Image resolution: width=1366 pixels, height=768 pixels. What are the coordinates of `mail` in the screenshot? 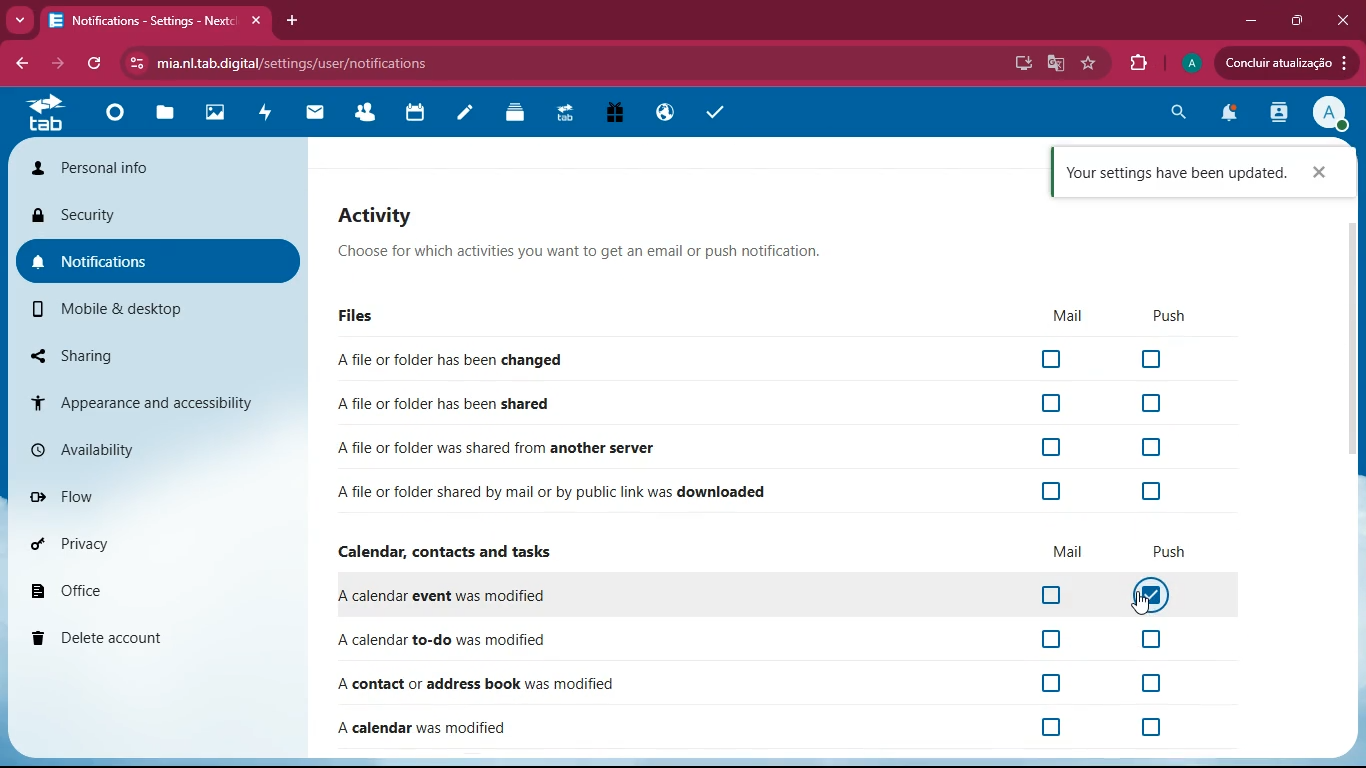 It's located at (1069, 552).